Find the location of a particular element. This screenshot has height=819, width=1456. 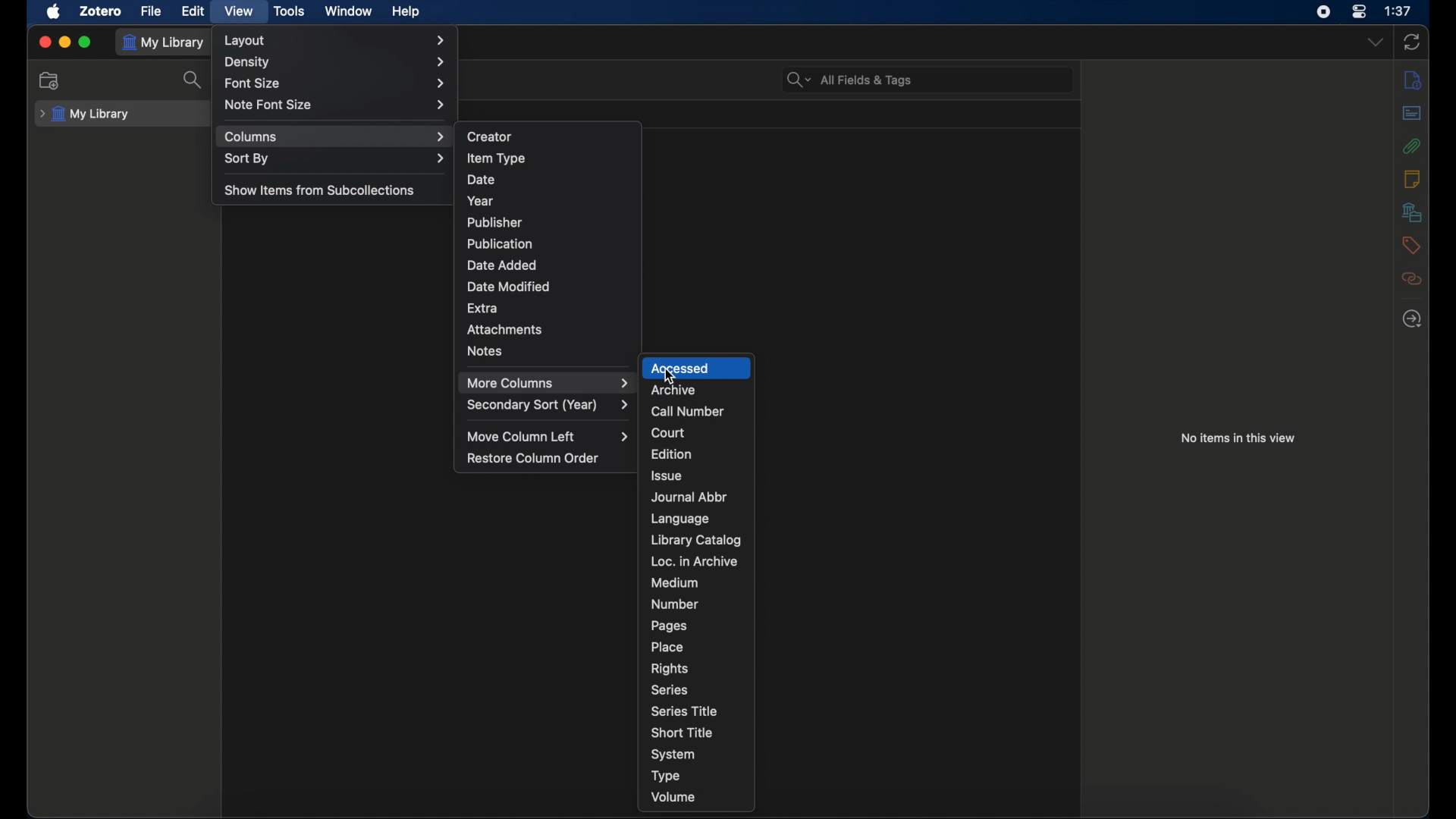

minimize is located at coordinates (64, 41).